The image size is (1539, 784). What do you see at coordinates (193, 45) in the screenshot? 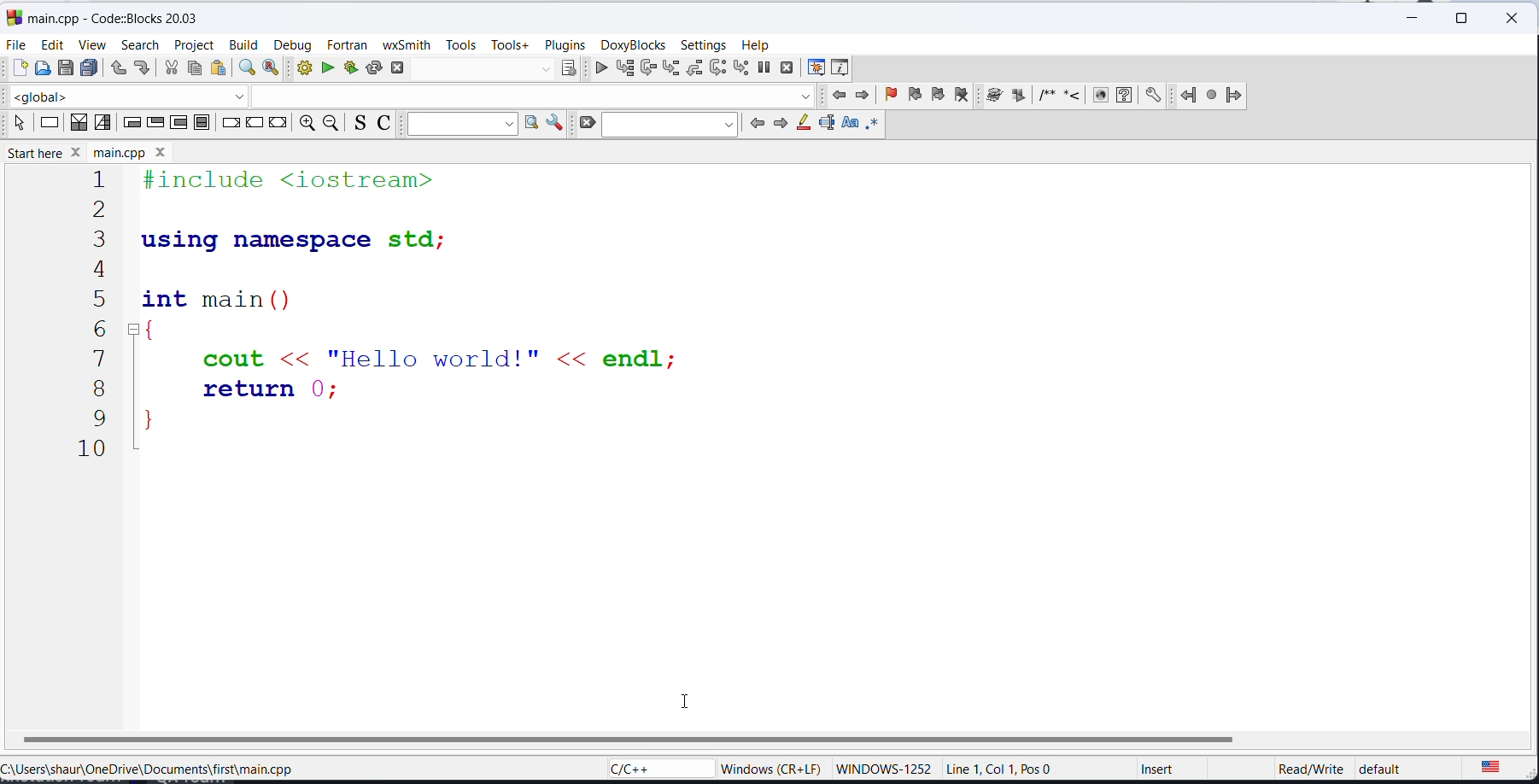
I see `project` at bounding box center [193, 45].